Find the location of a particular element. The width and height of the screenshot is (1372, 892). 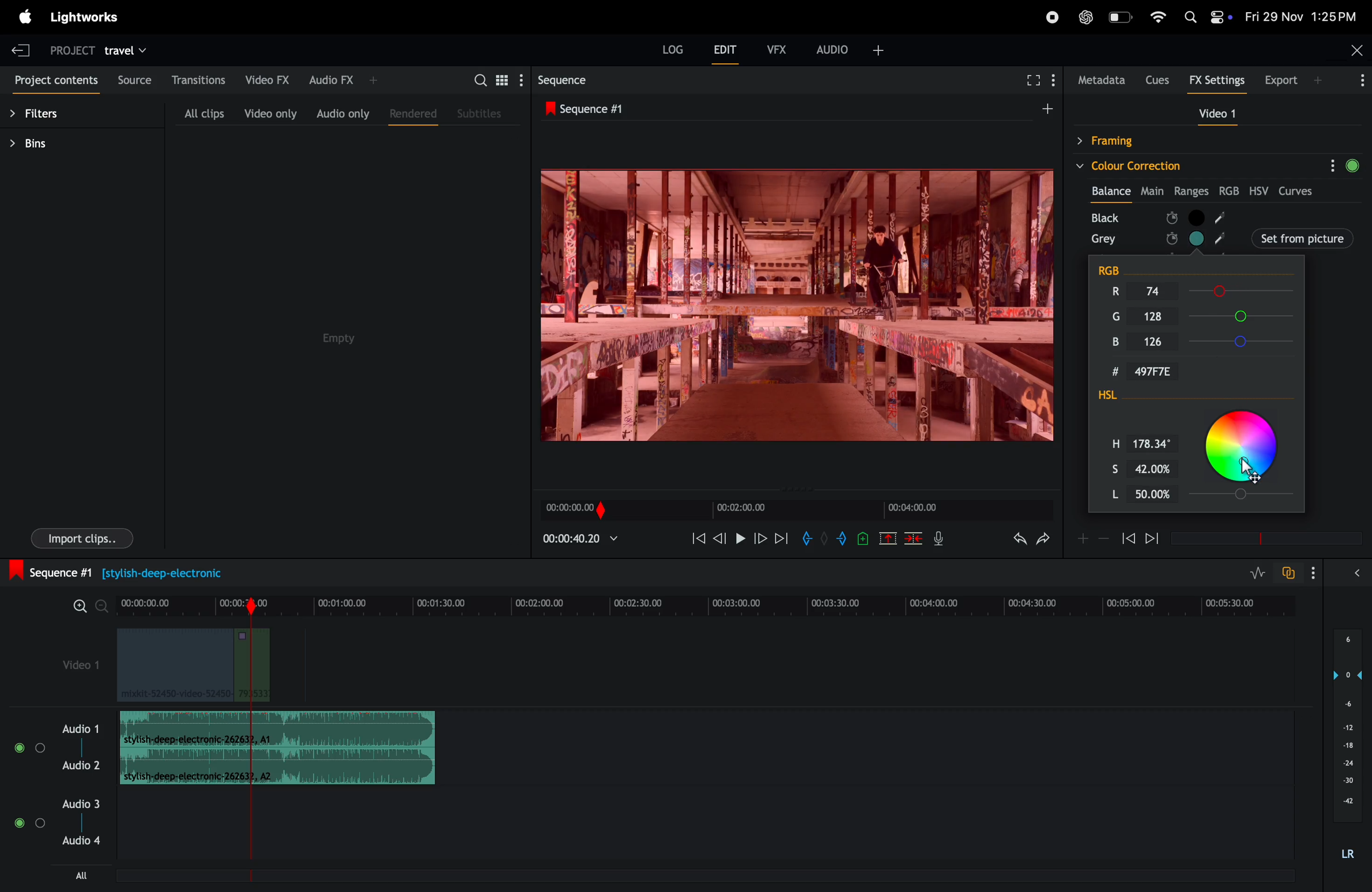

add in mark is located at coordinates (806, 538).